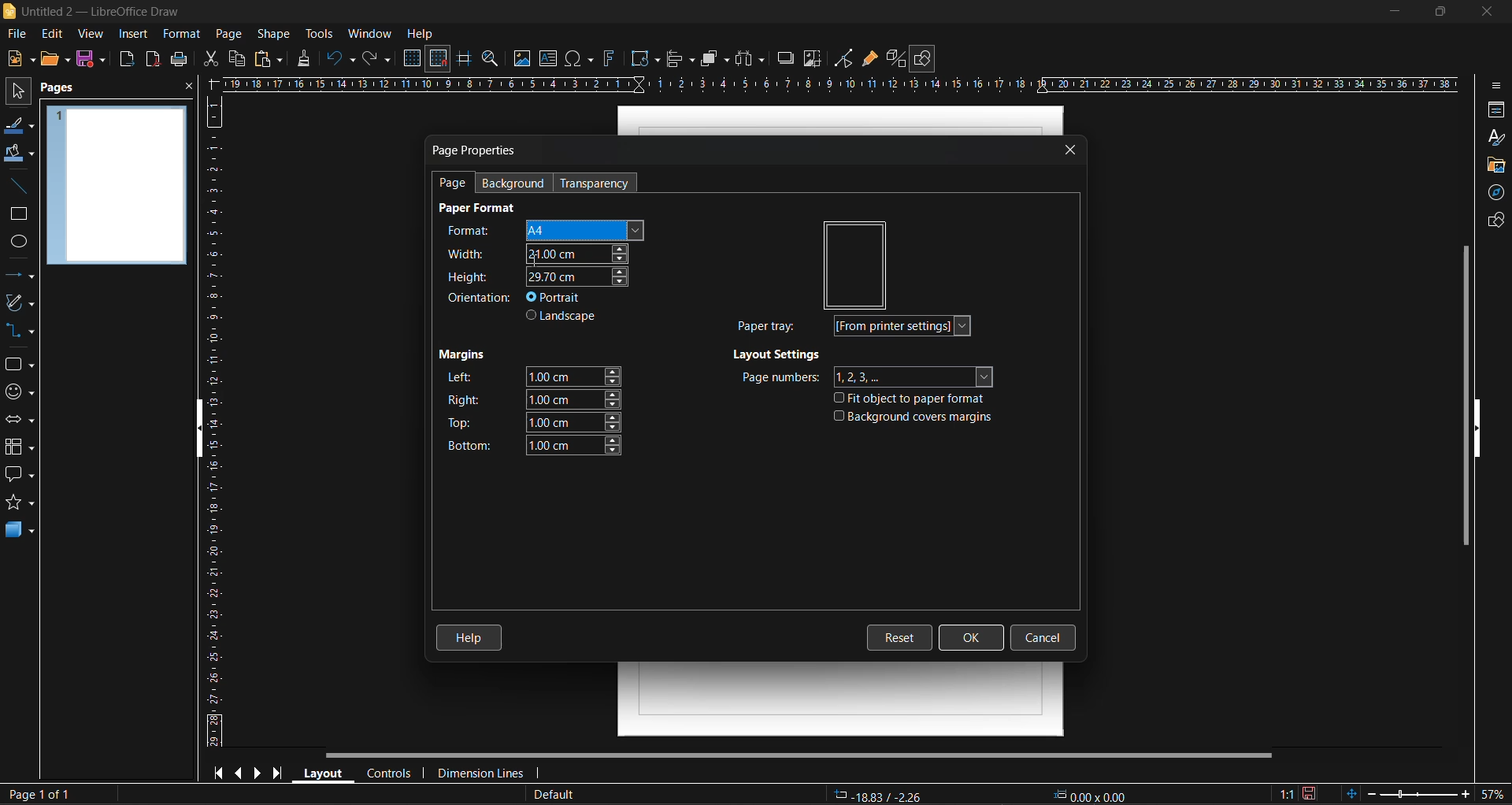 Image resolution: width=1512 pixels, height=805 pixels. Describe the element at coordinates (480, 299) in the screenshot. I see `orientation` at that location.